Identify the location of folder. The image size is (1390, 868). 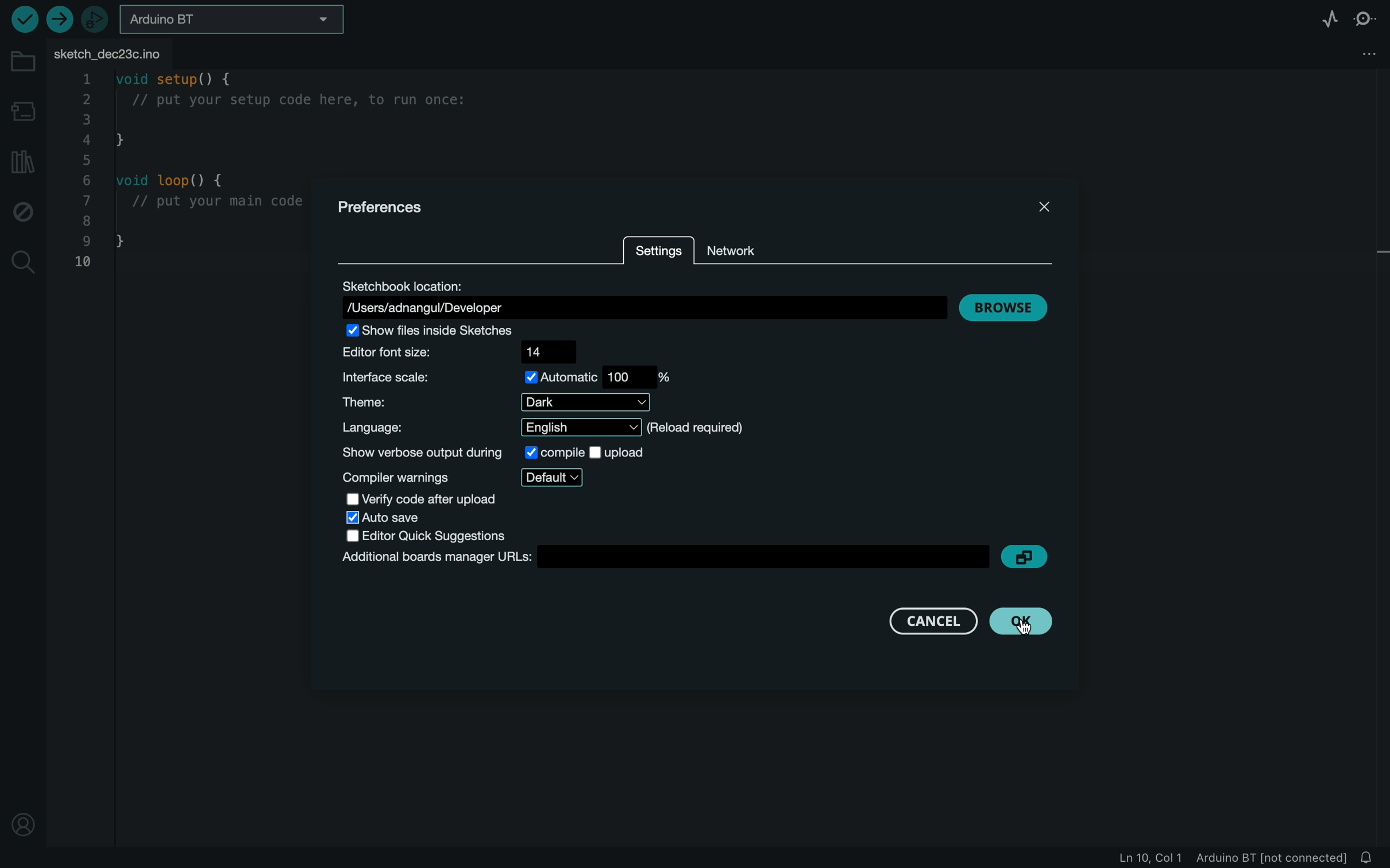
(25, 63).